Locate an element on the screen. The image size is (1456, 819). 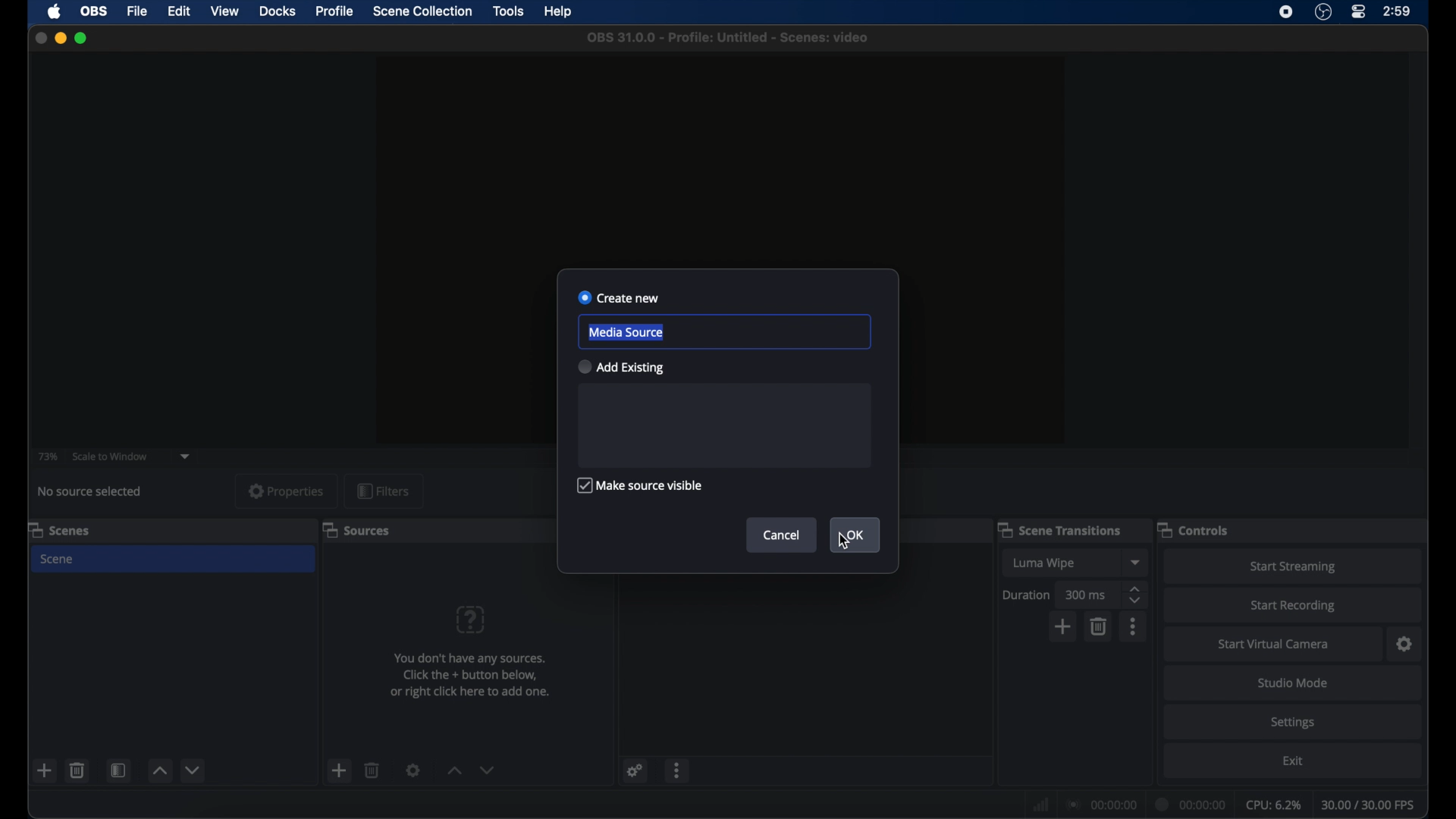
decrement is located at coordinates (194, 770).